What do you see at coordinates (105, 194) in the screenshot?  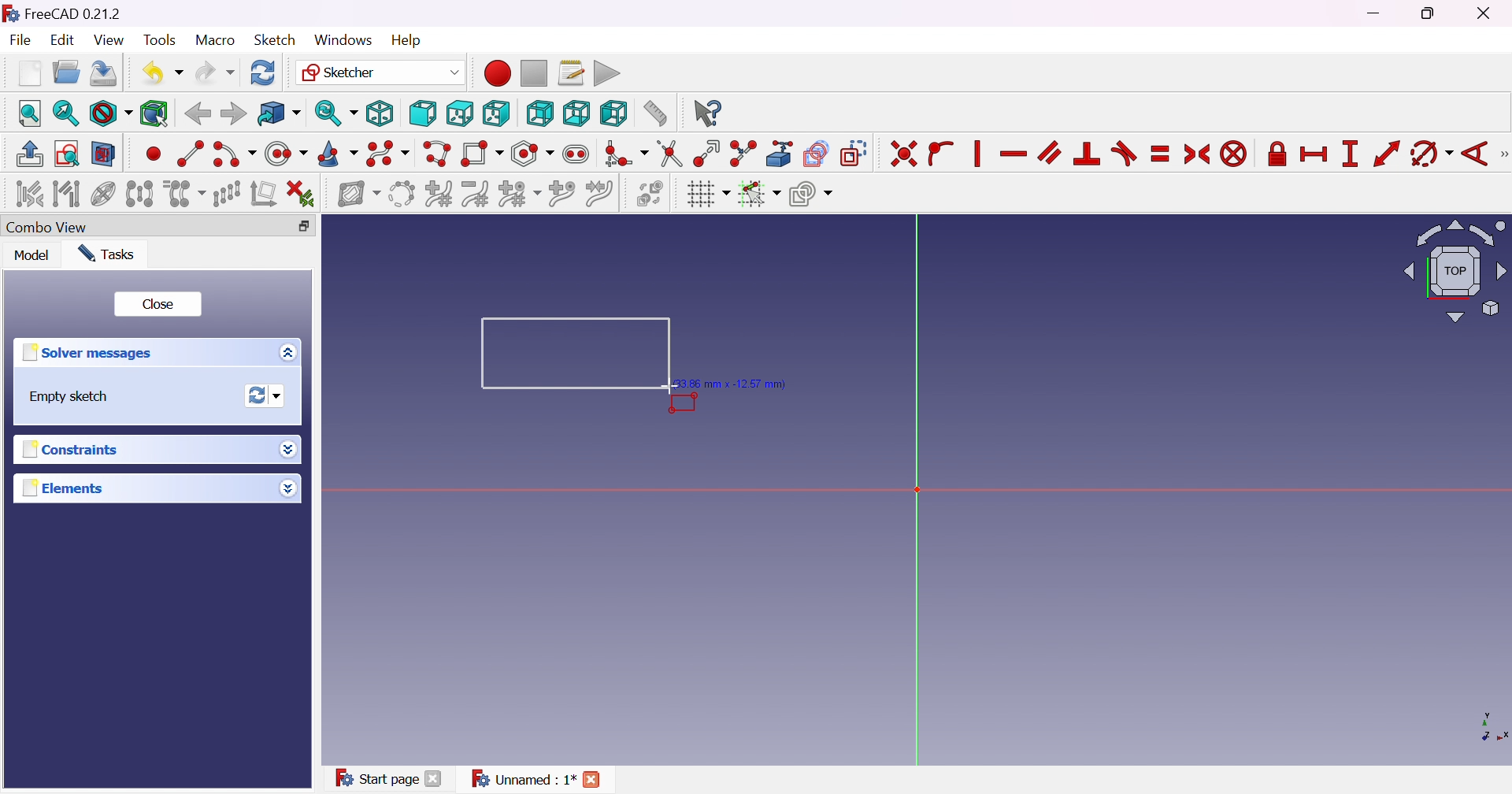 I see `Show/hide internal geometry` at bounding box center [105, 194].